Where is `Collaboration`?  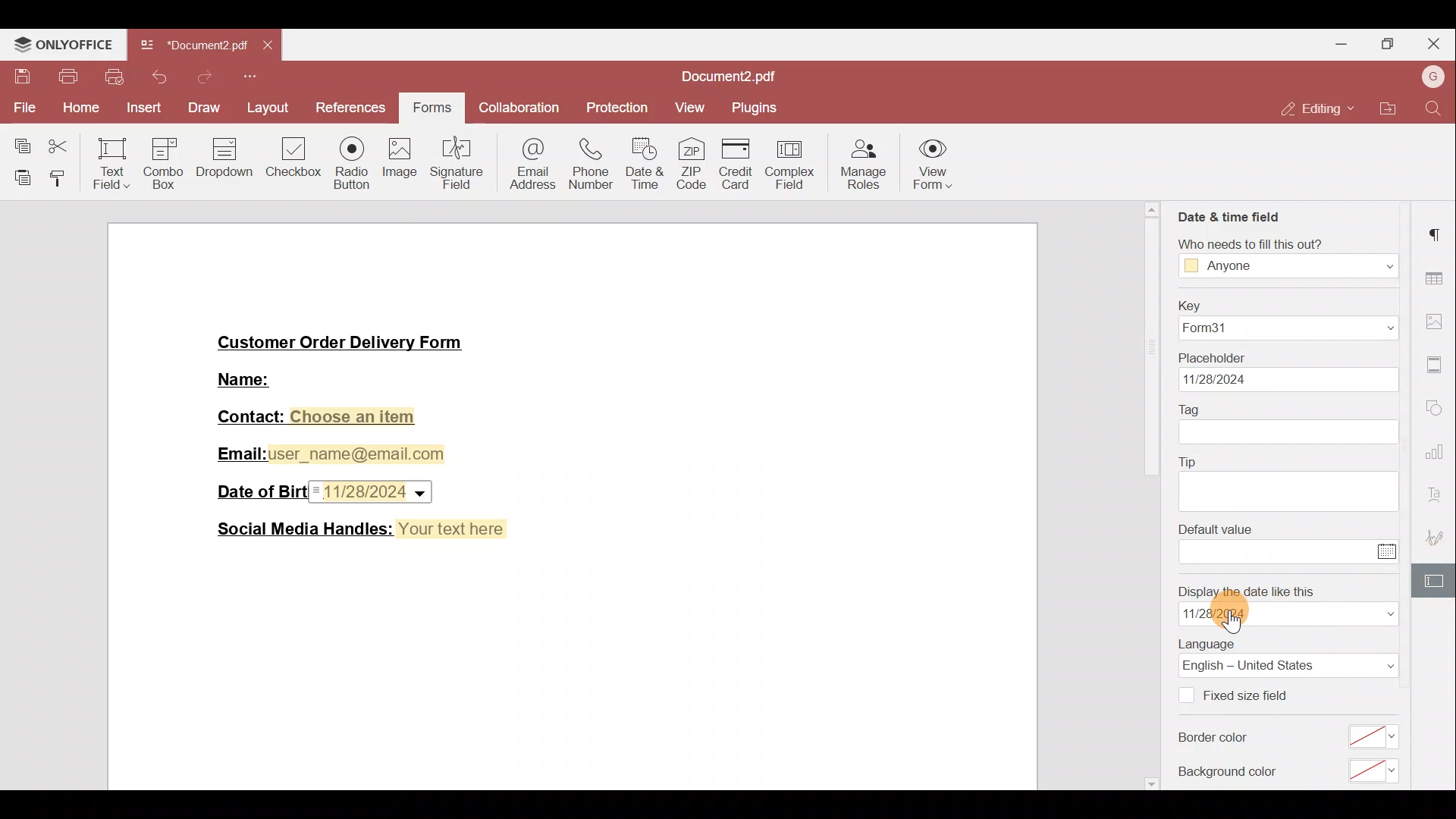
Collaboration is located at coordinates (516, 109).